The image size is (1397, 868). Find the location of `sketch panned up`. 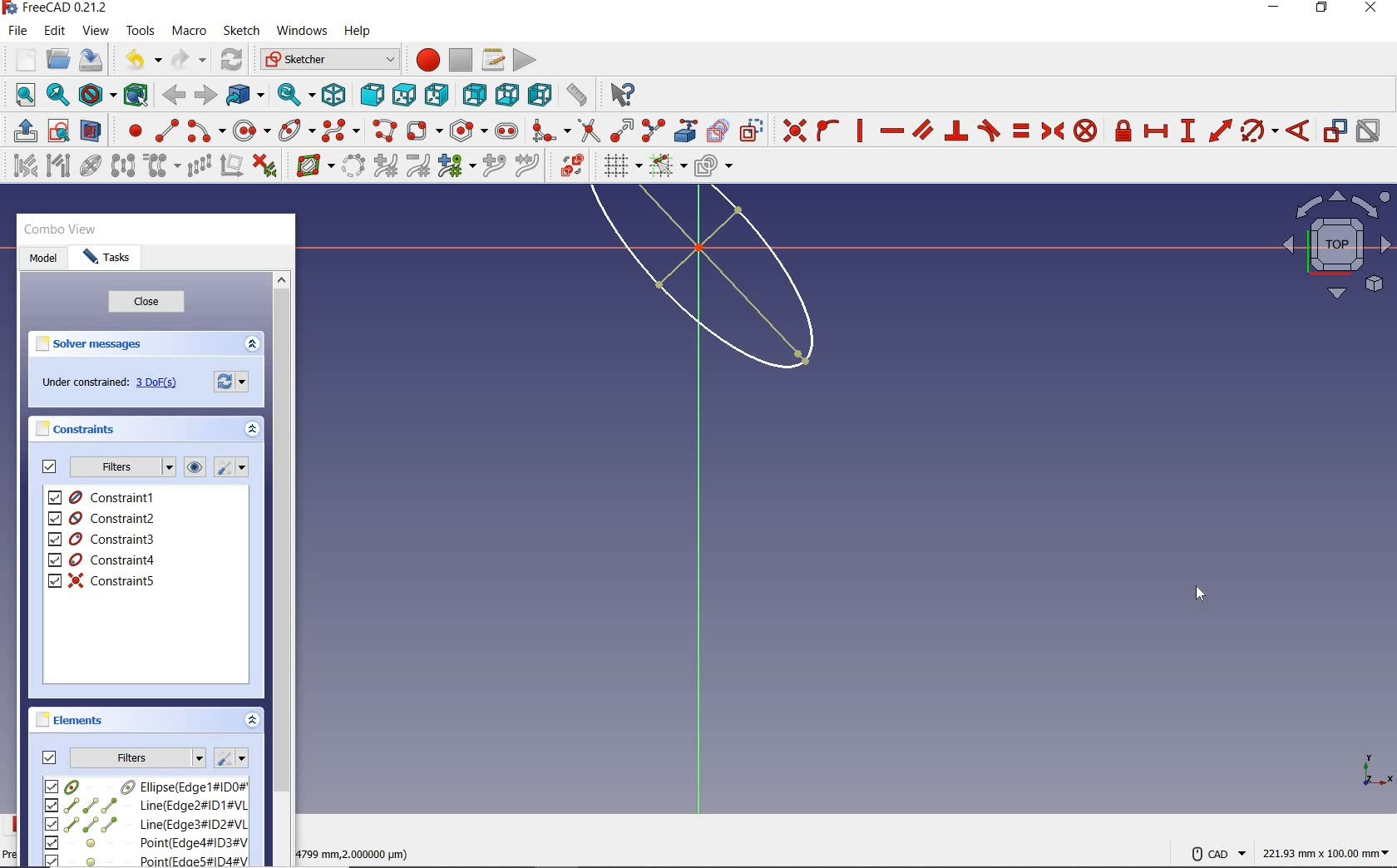

sketch panned up is located at coordinates (674, 290).